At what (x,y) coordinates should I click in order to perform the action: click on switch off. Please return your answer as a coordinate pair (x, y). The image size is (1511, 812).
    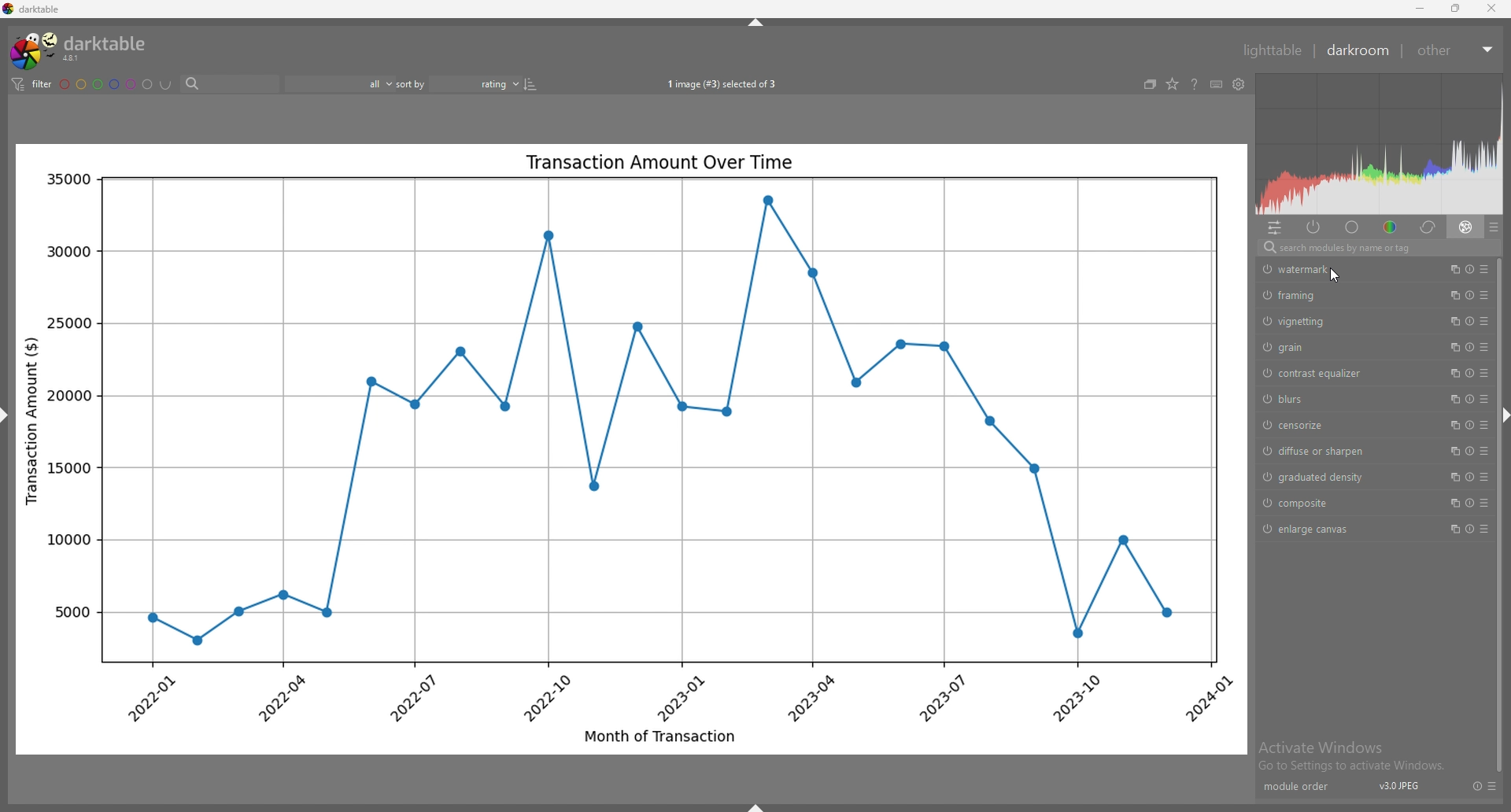
    Looking at the image, I should click on (1267, 503).